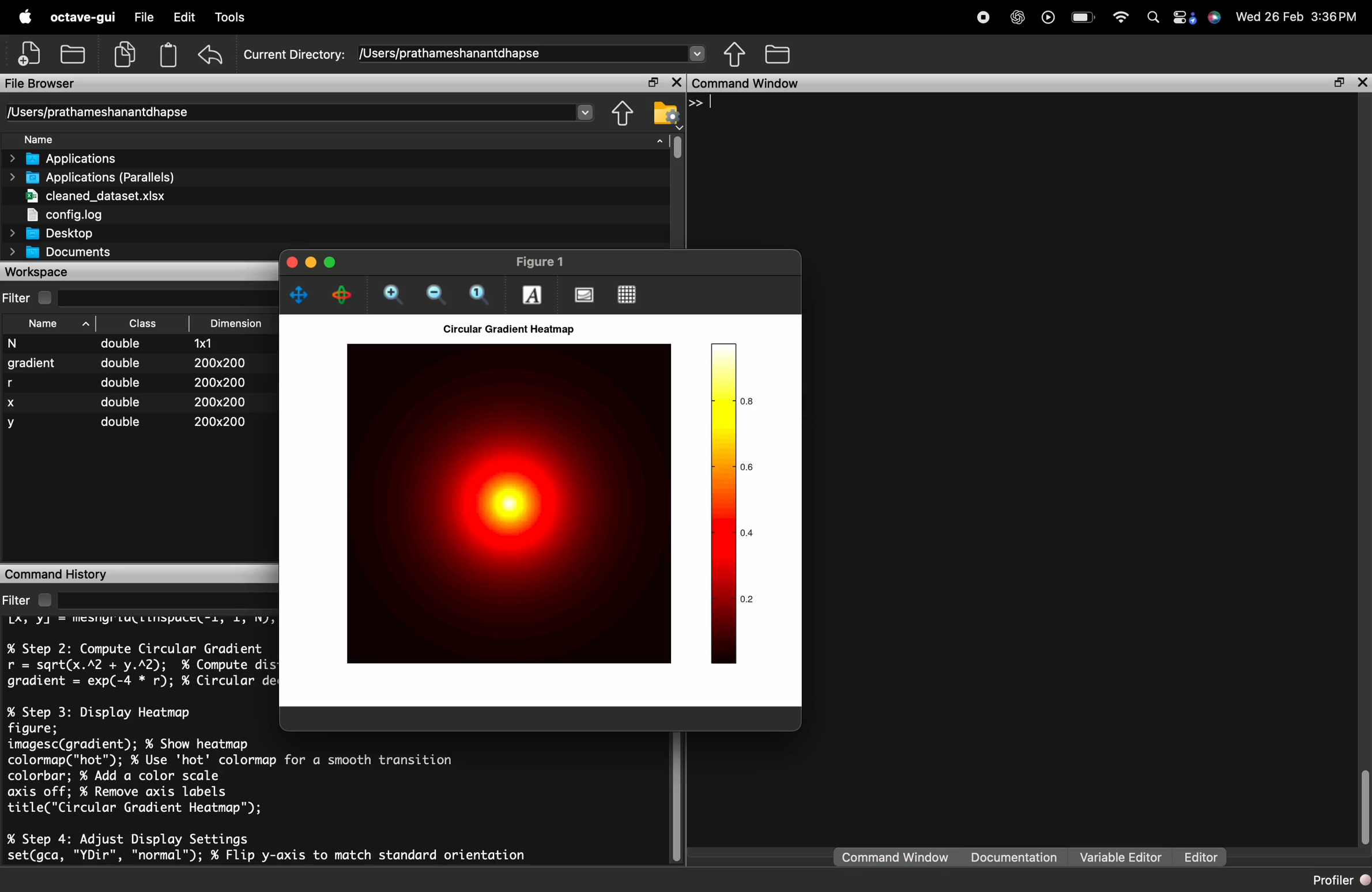 Image resolution: width=1372 pixels, height=892 pixels. I want to click on workspace, so click(138, 271).